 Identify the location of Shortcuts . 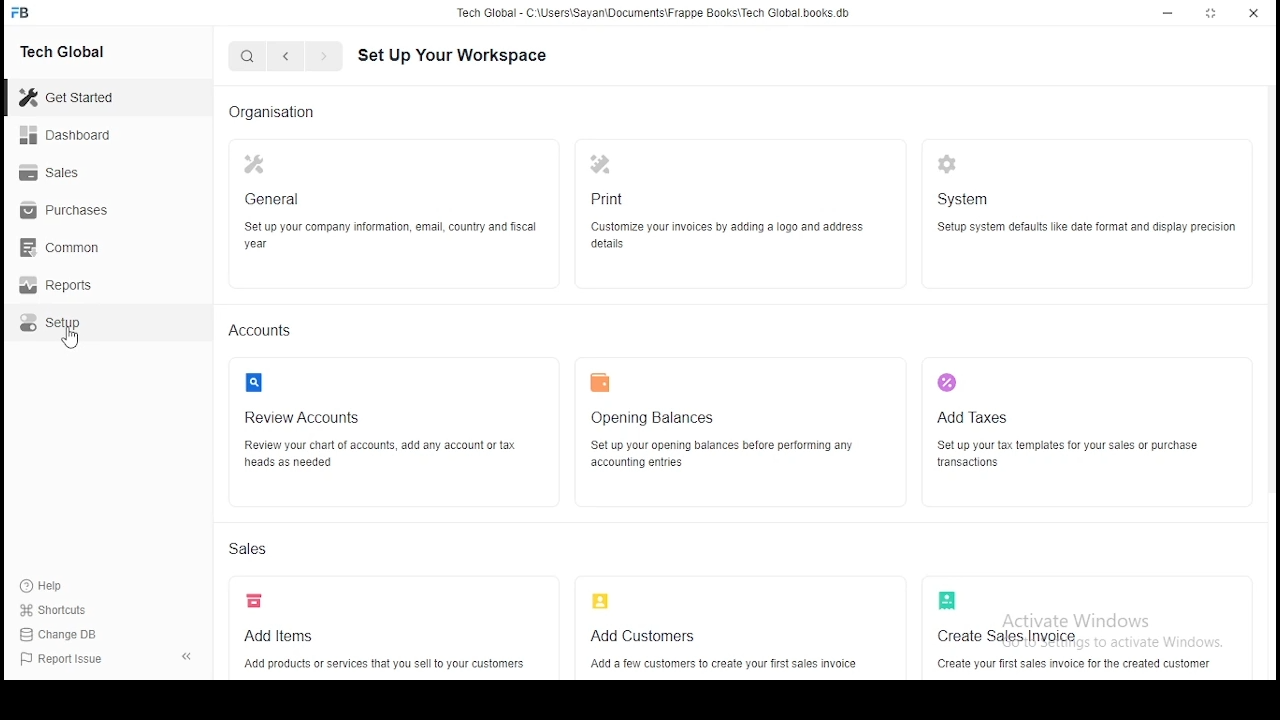
(60, 613).